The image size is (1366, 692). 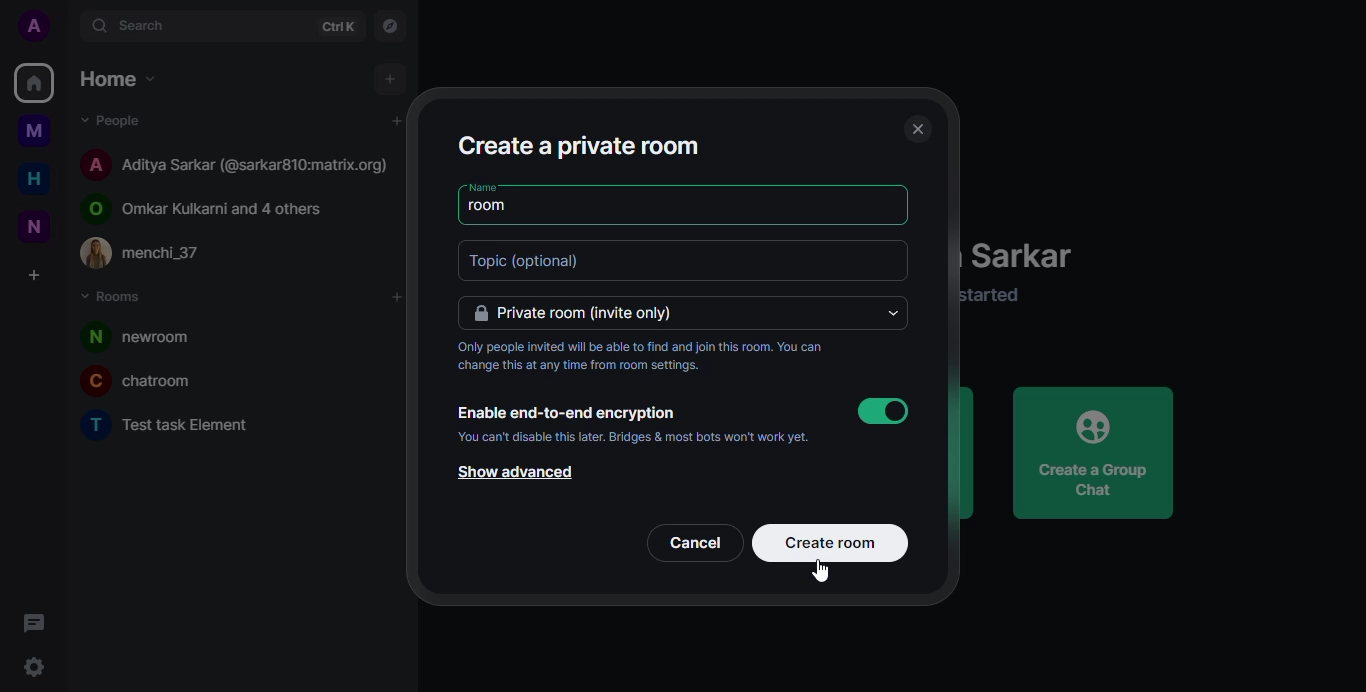 I want to click on threads, so click(x=37, y=622).